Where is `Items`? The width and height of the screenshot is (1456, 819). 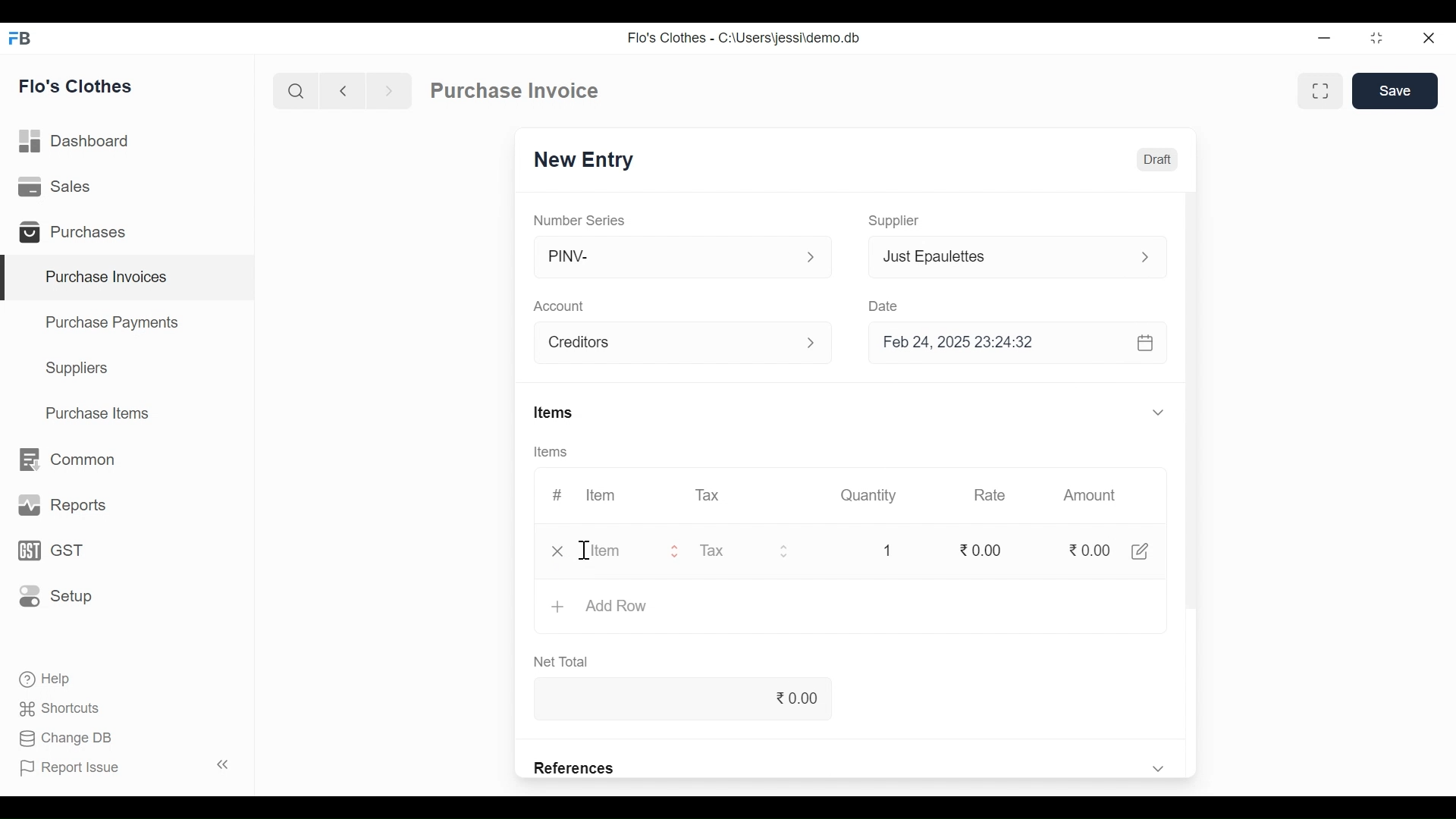 Items is located at coordinates (553, 412).